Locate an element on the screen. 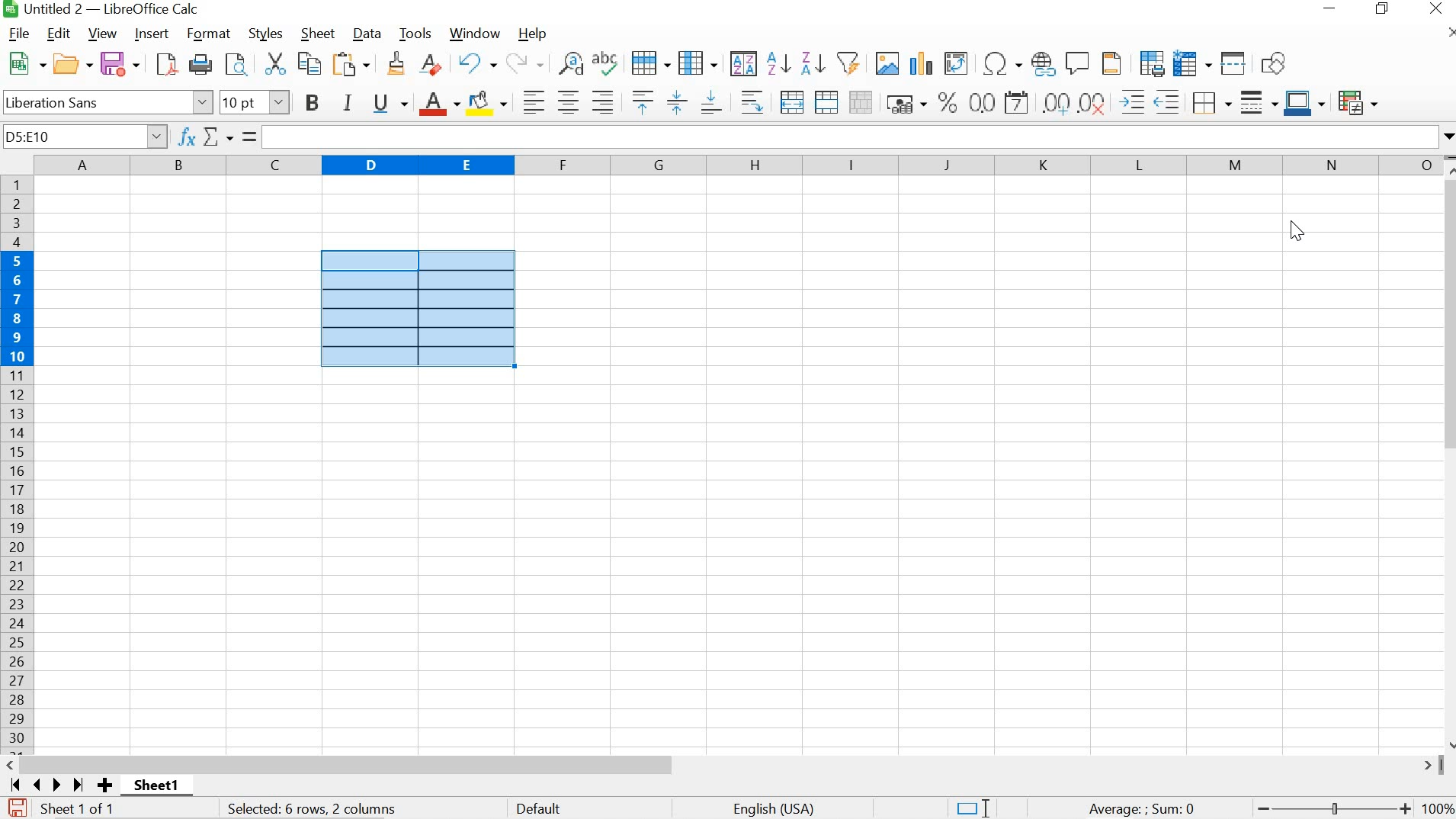  COPY is located at coordinates (311, 62).